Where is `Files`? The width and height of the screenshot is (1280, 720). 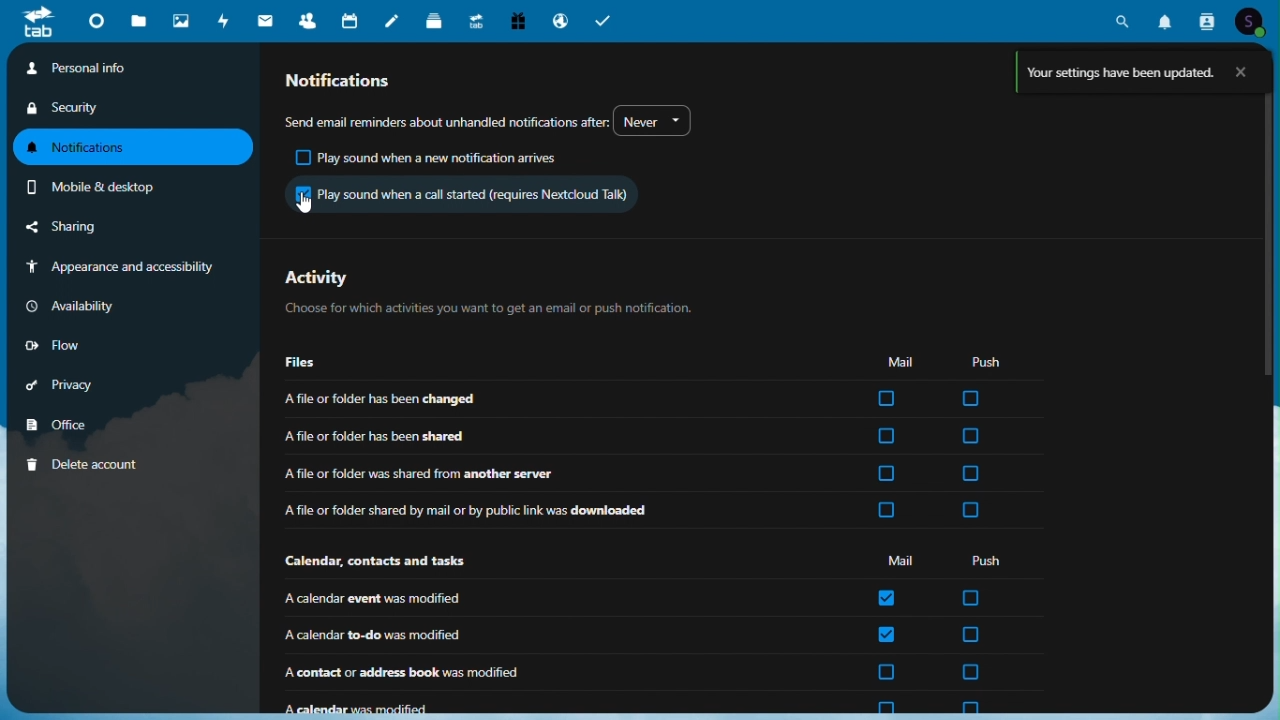 Files is located at coordinates (140, 22).